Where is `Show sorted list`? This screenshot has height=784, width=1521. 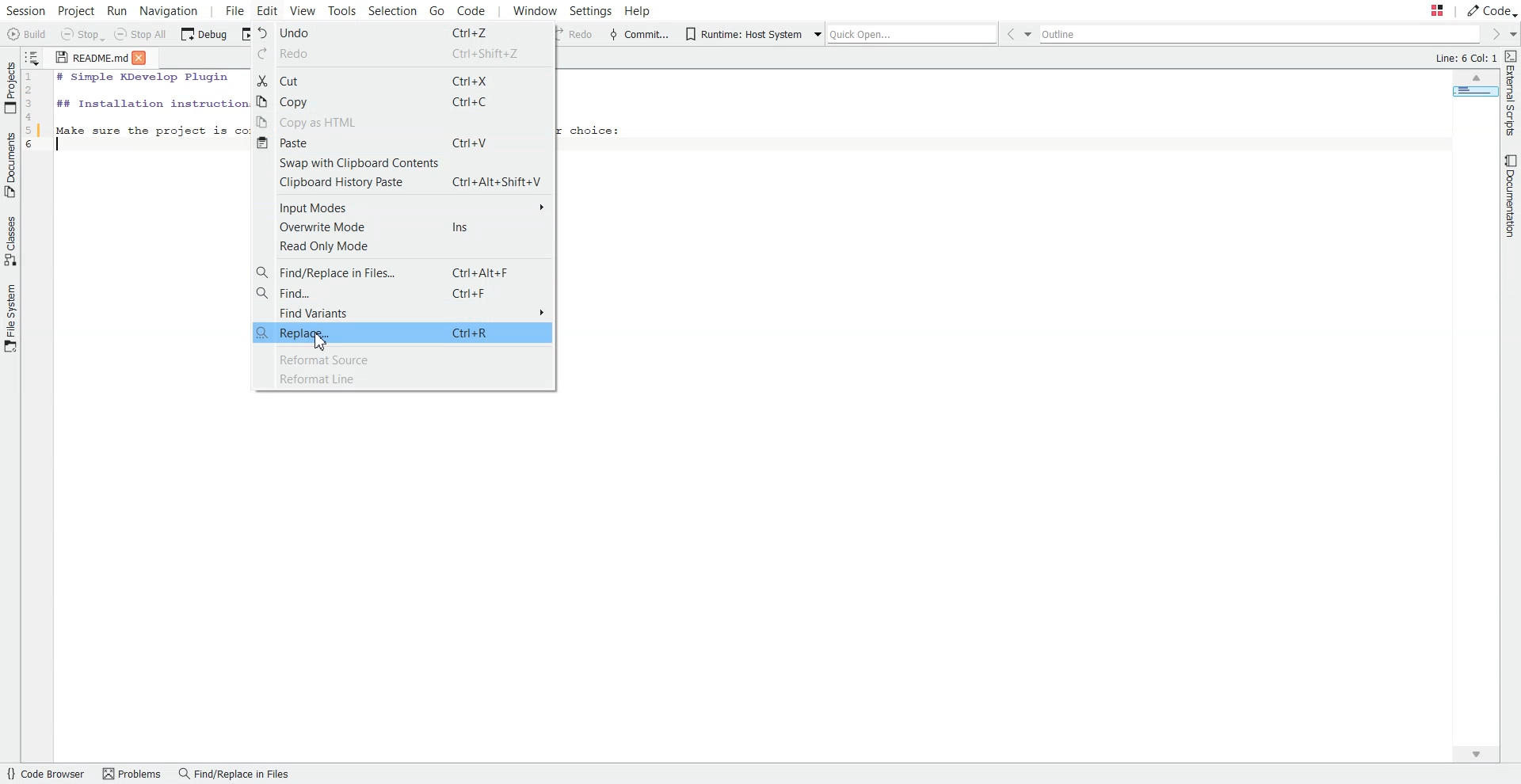 Show sorted list is located at coordinates (33, 56).